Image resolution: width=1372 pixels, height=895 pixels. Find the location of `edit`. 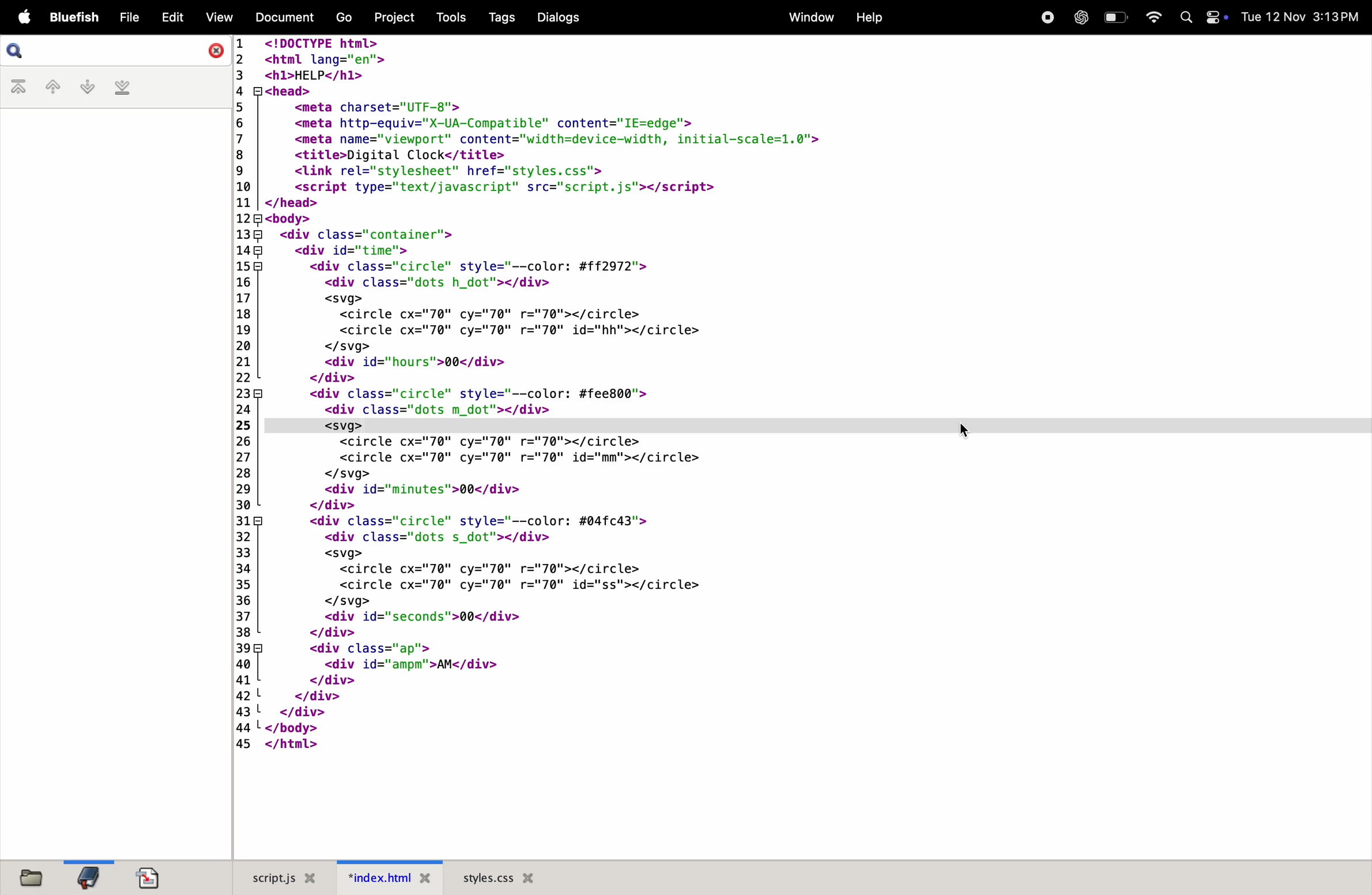

edit is located at coordinates (172, 16).